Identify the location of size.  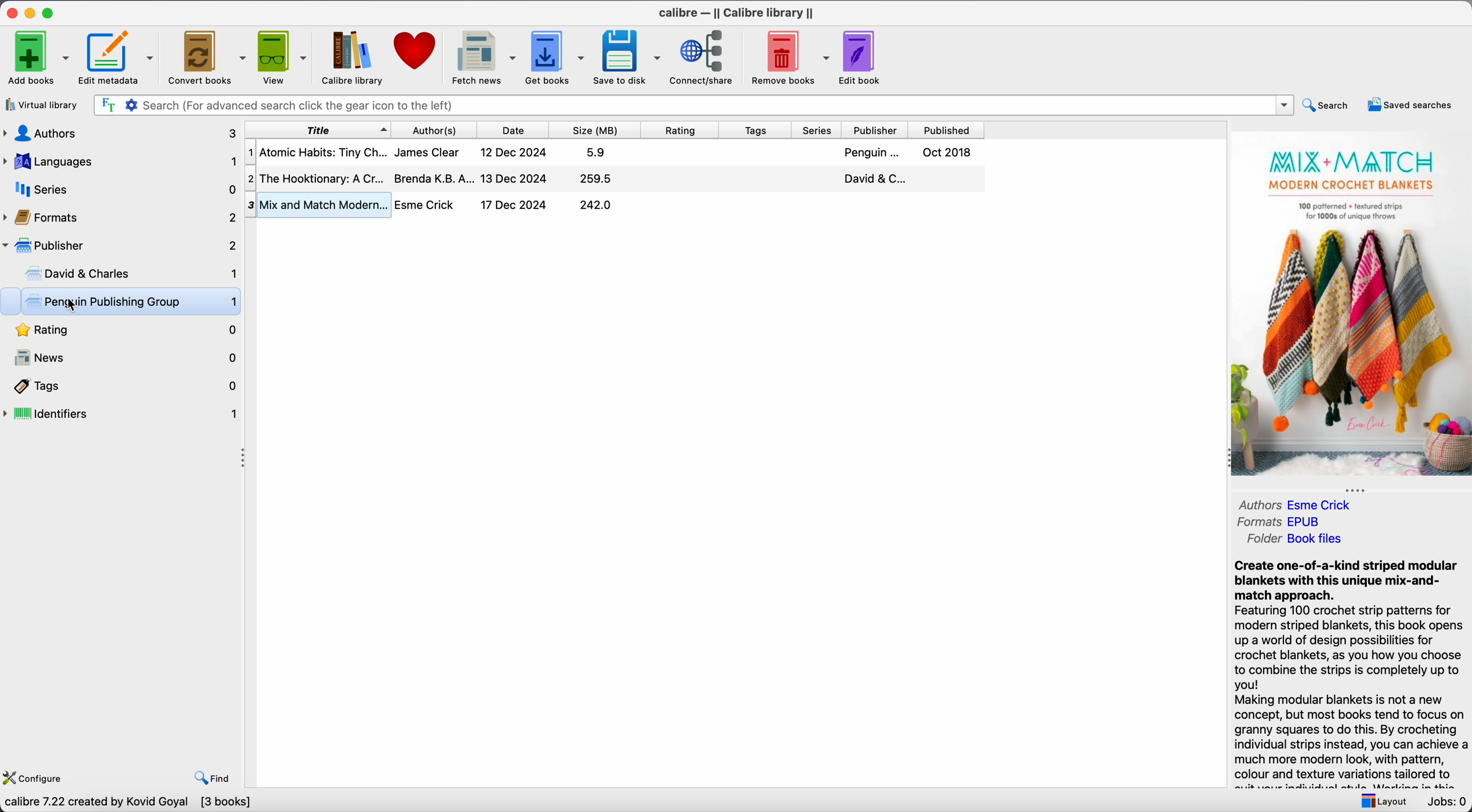
(599, 130).